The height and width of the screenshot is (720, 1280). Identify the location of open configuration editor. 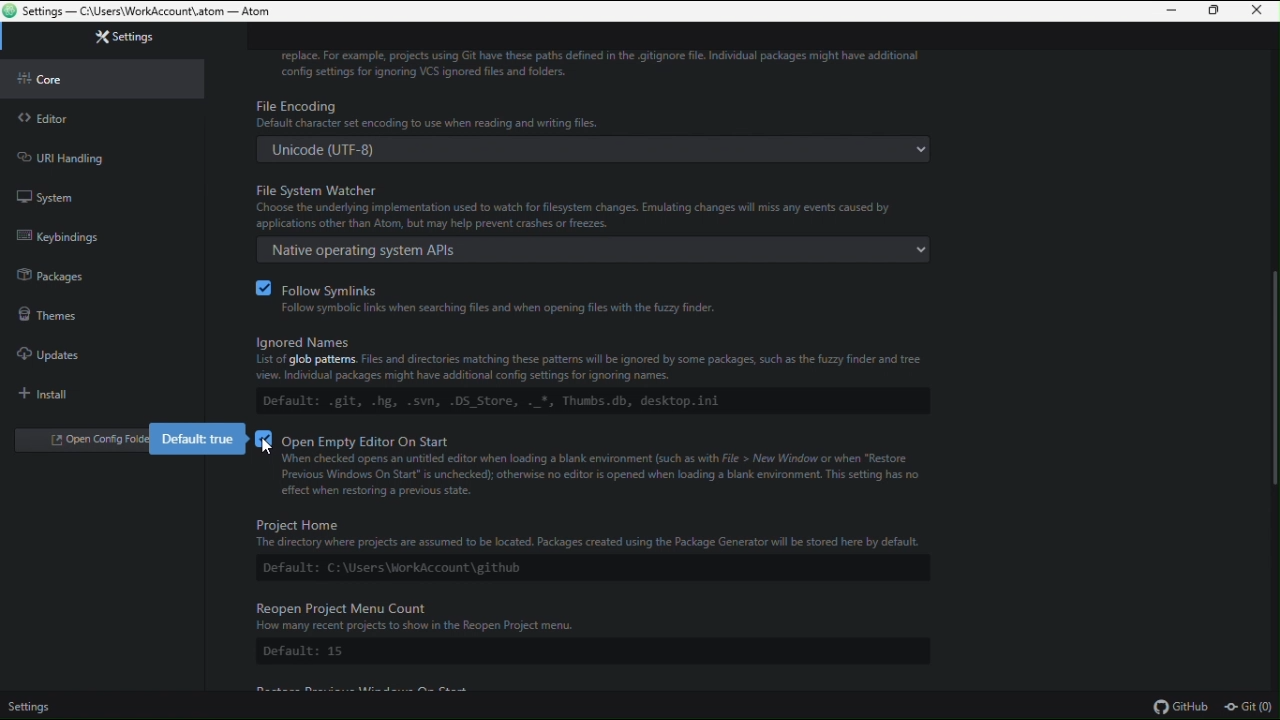
(80, 441).